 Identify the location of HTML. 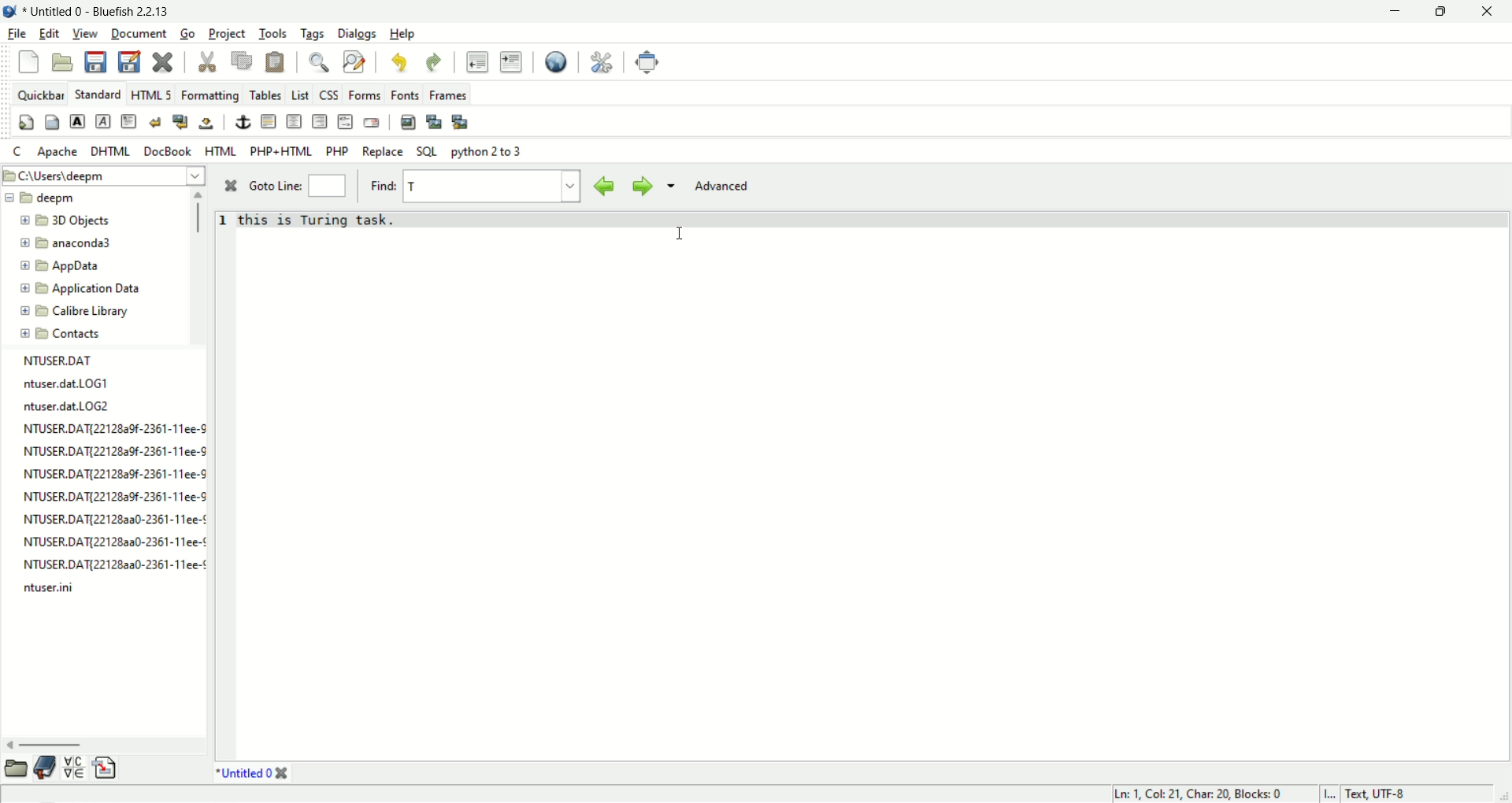
(222, 150).